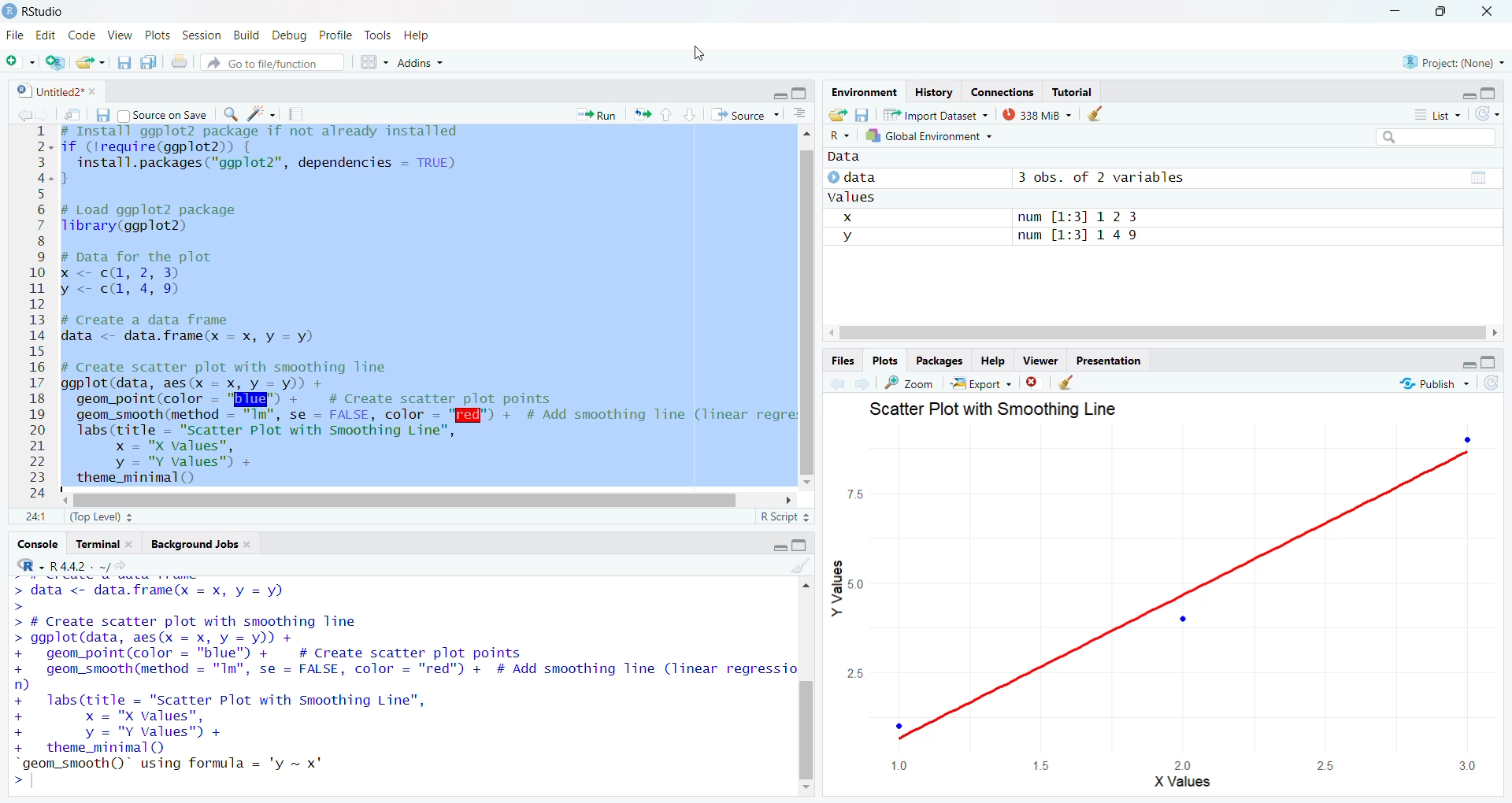  Describe the element at coordinates (270, 62) in the screenshot. I see ` Go to file/function` at that location.